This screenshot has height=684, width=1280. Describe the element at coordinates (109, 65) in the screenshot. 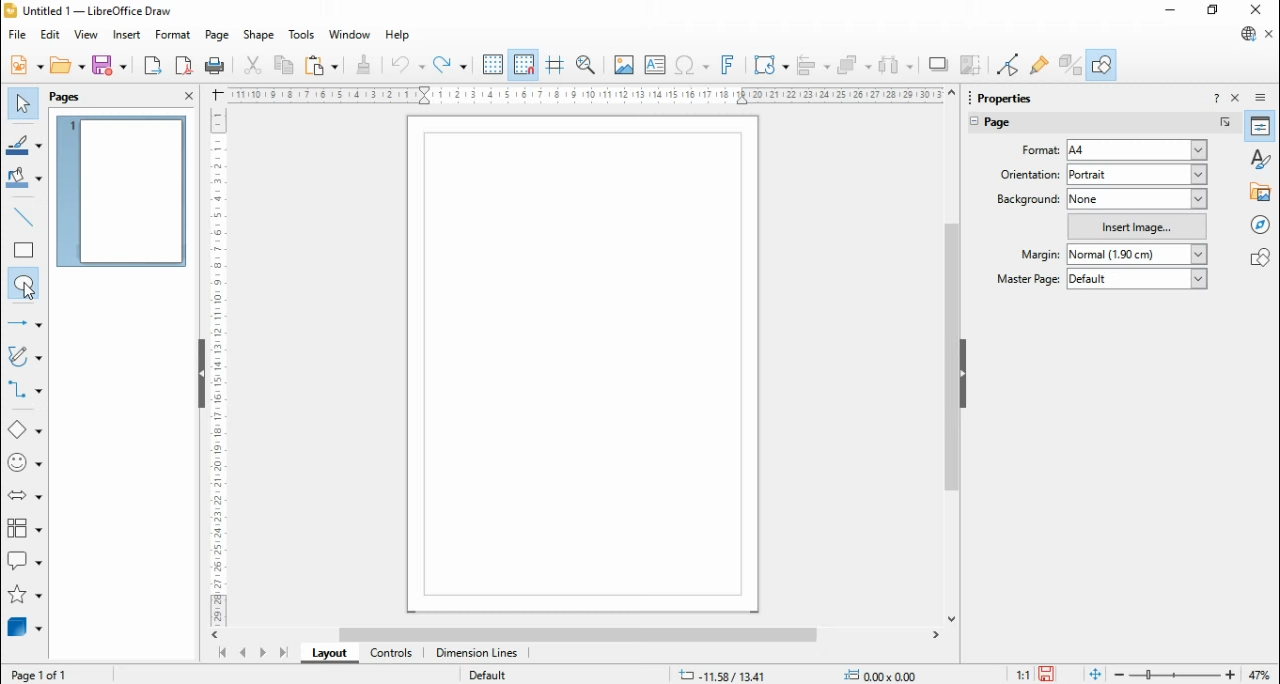

I see `save` at that location.